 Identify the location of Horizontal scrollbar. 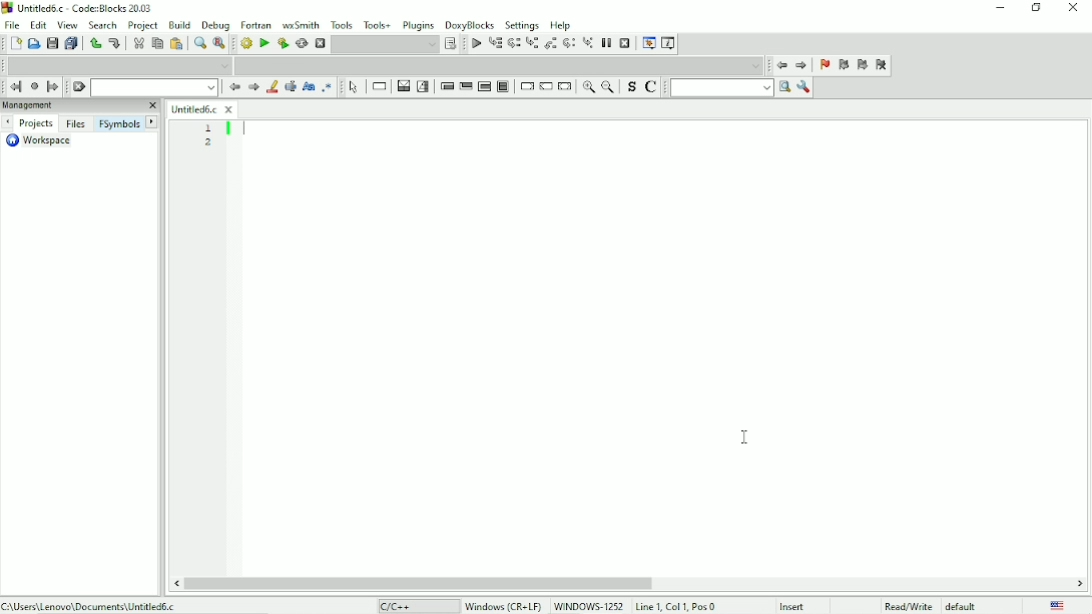
(417, 582).